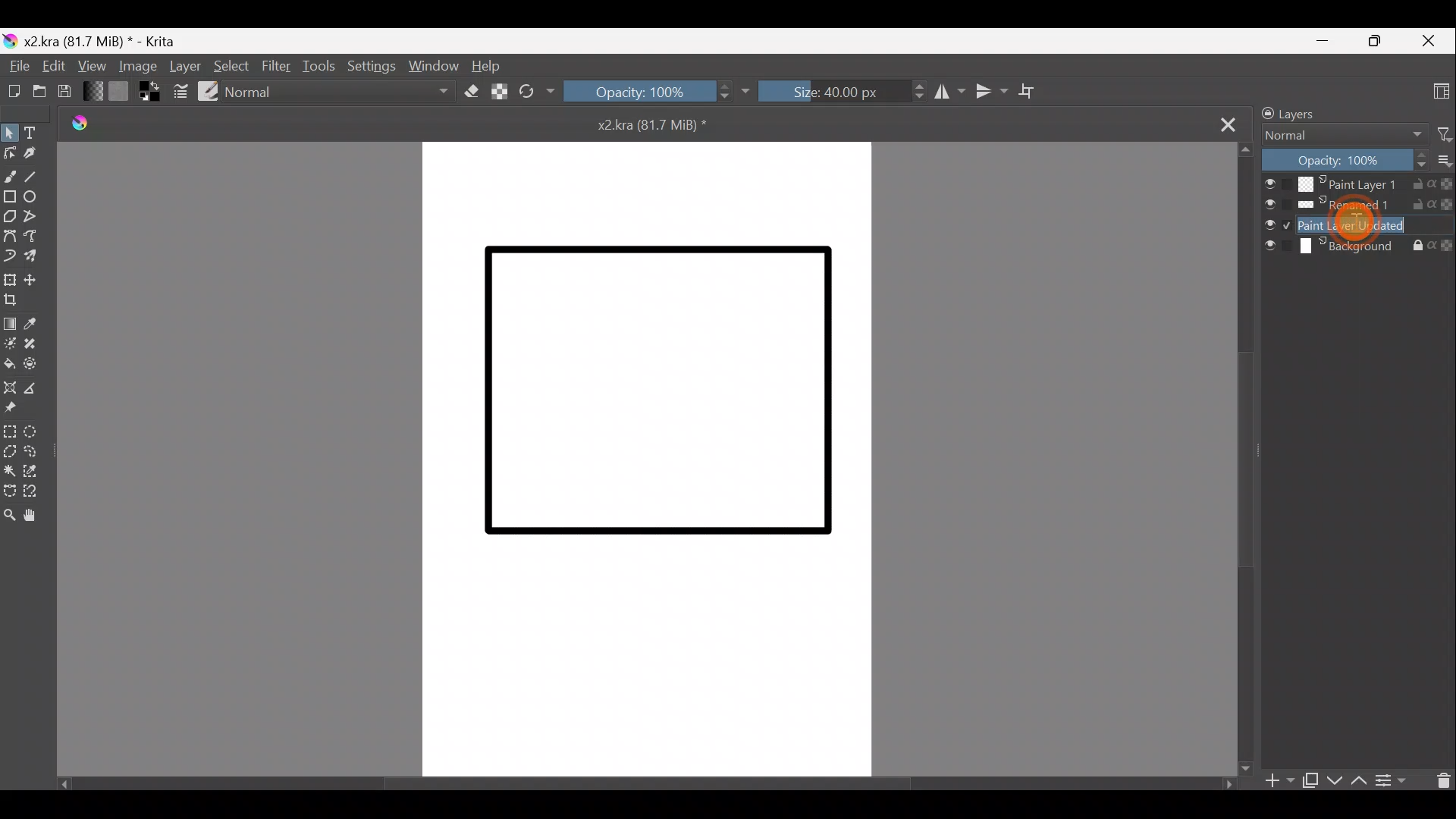 This screenshot has width=1456, height=819. What do you see at coordinates (1355, 184) in the screenshot?
I see `Paint Layer 1` at bounding box center [1355, 184].